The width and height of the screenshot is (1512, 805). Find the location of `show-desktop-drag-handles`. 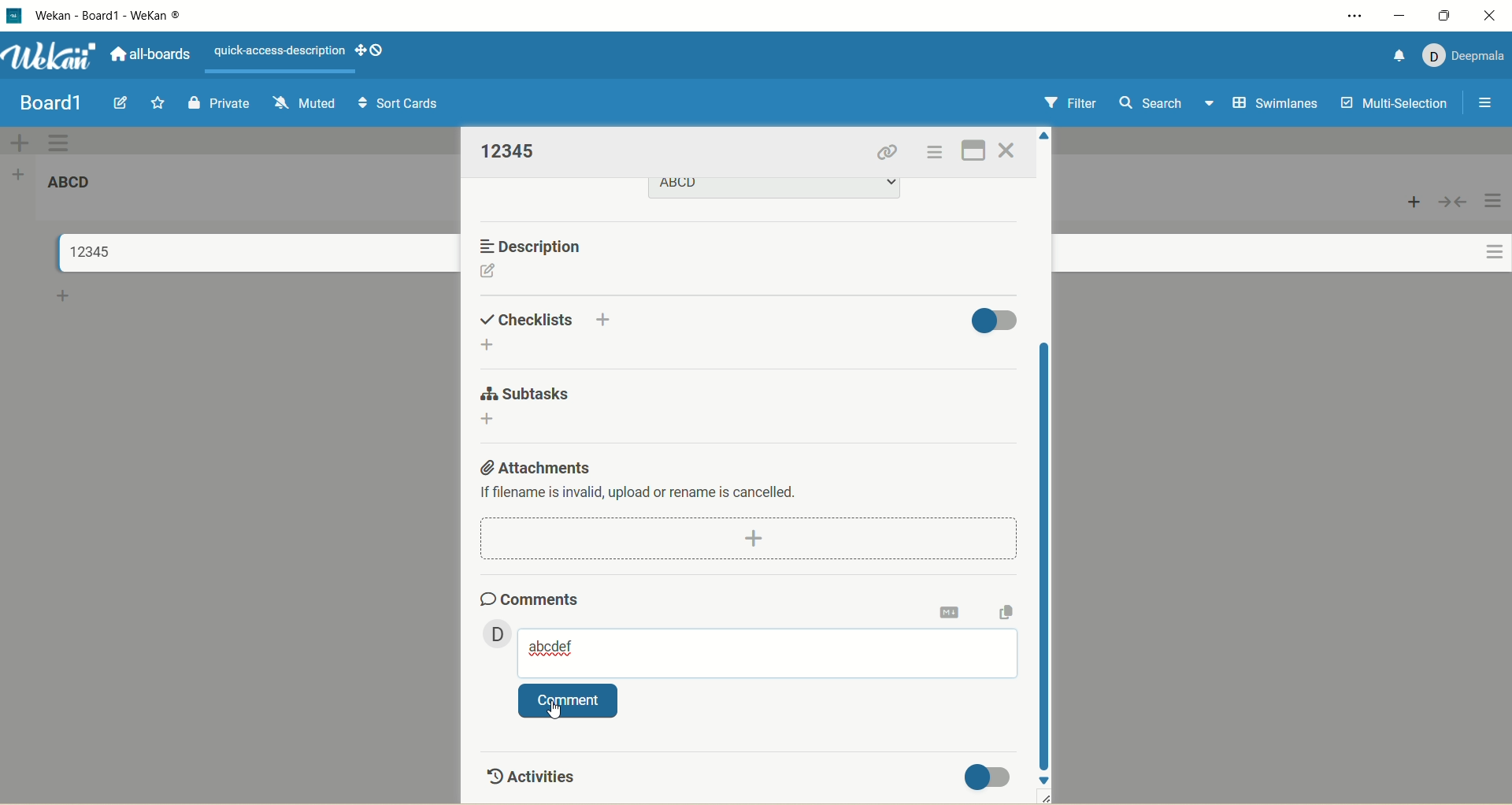

show-desktop-drag-handles is located at coordinates (357, 48).